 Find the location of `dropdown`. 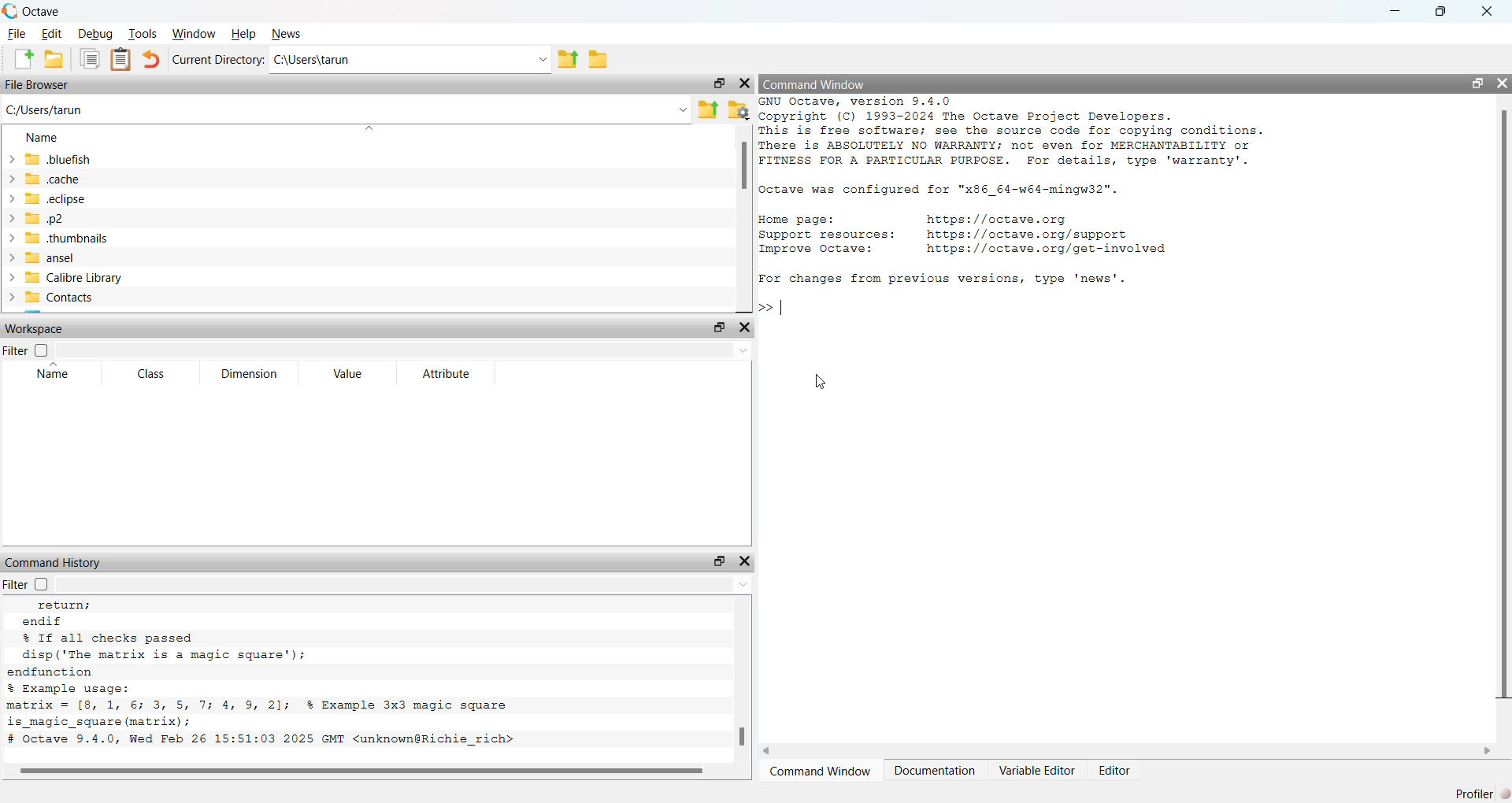

dropdown is located at coordinates (541, 60).